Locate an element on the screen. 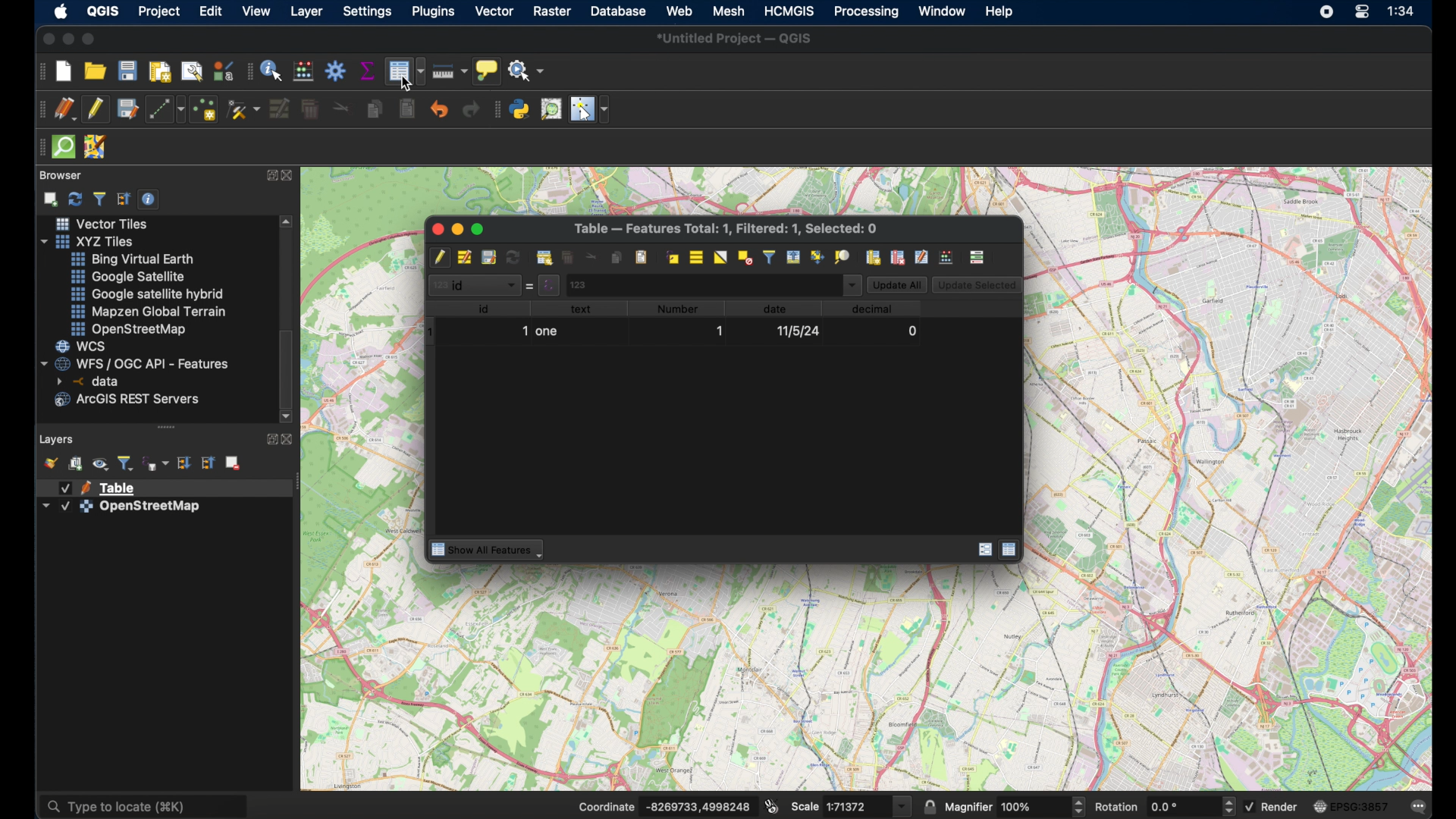 This screenshot has height=819, width=1456. expand is located at coordinates (268, 441).